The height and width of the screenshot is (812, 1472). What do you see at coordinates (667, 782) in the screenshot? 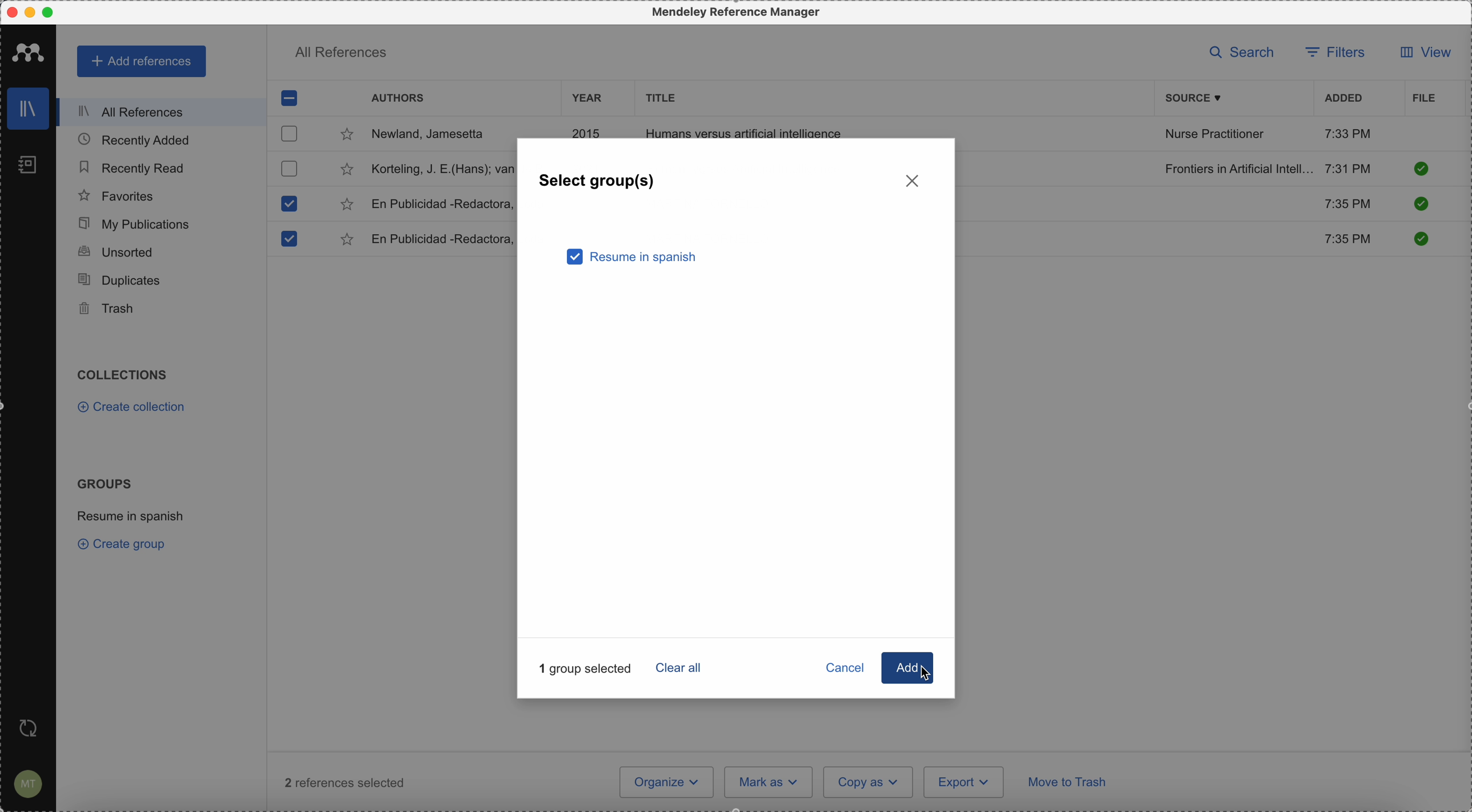
I see `organize` at bounding box center [667, 782].